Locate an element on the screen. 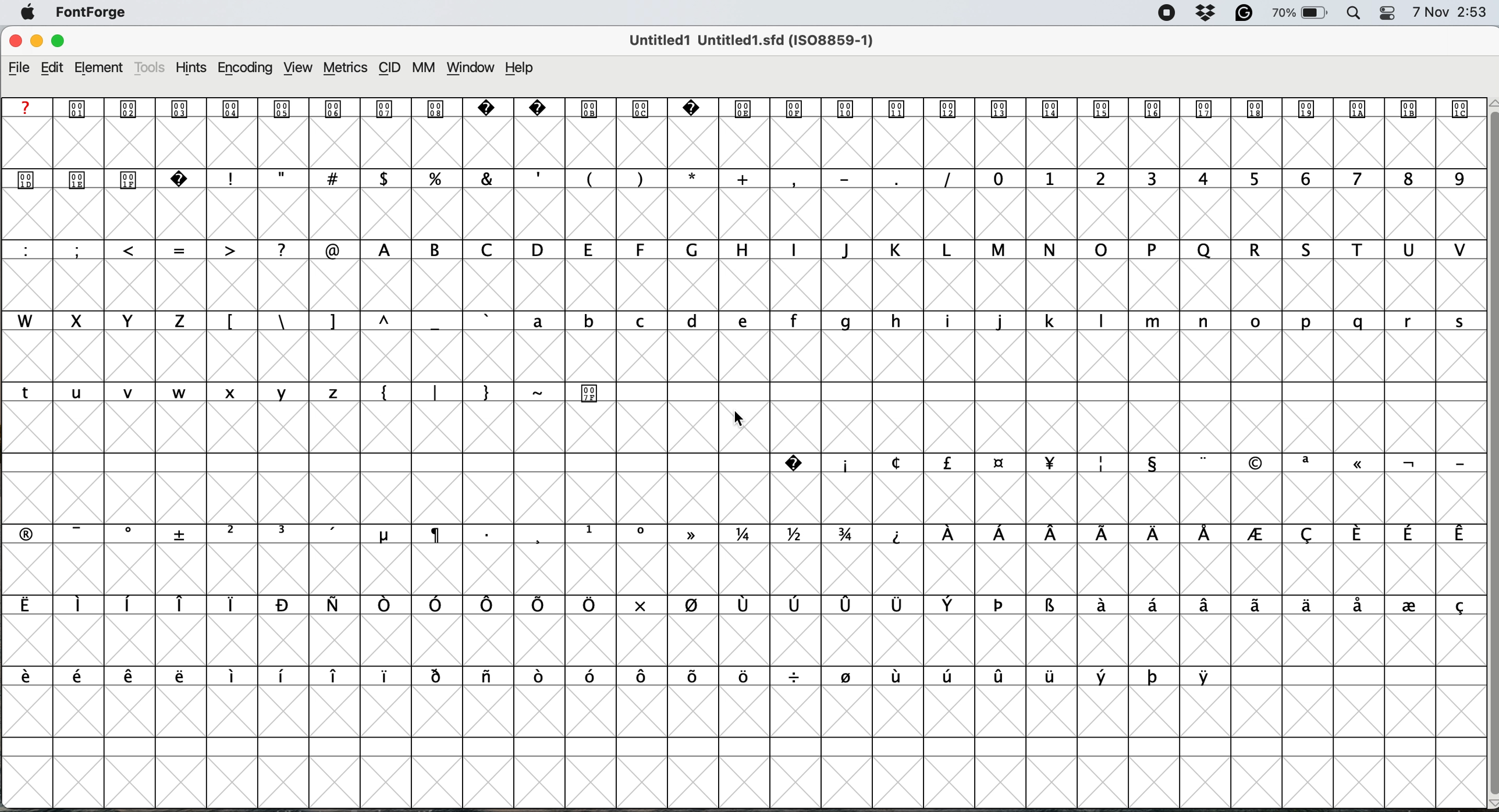 This screenshot has height=812, width=1499.  is located at coordinates (59, 26).